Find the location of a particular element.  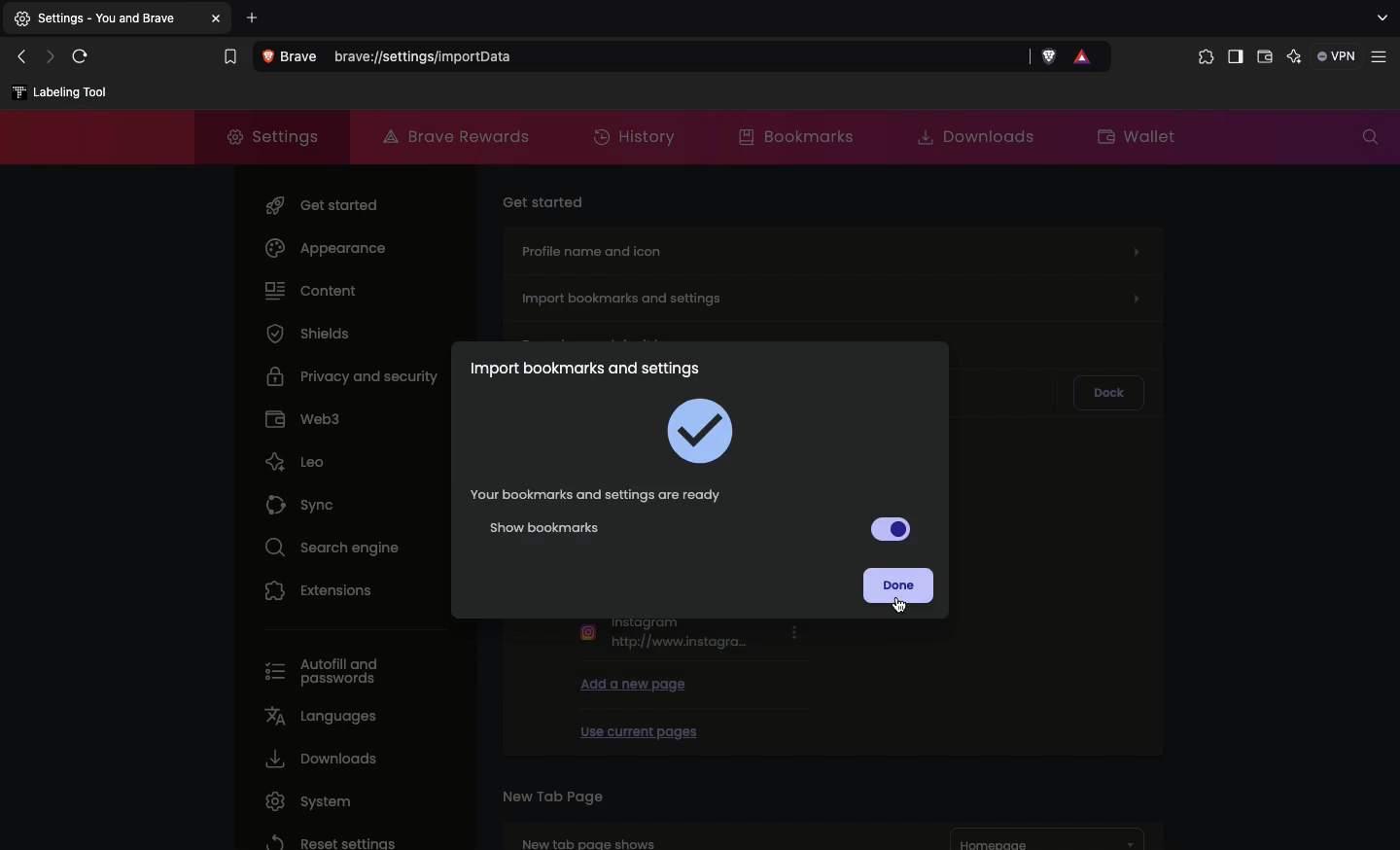

Bookmarks is located at coordinates (793, 135).